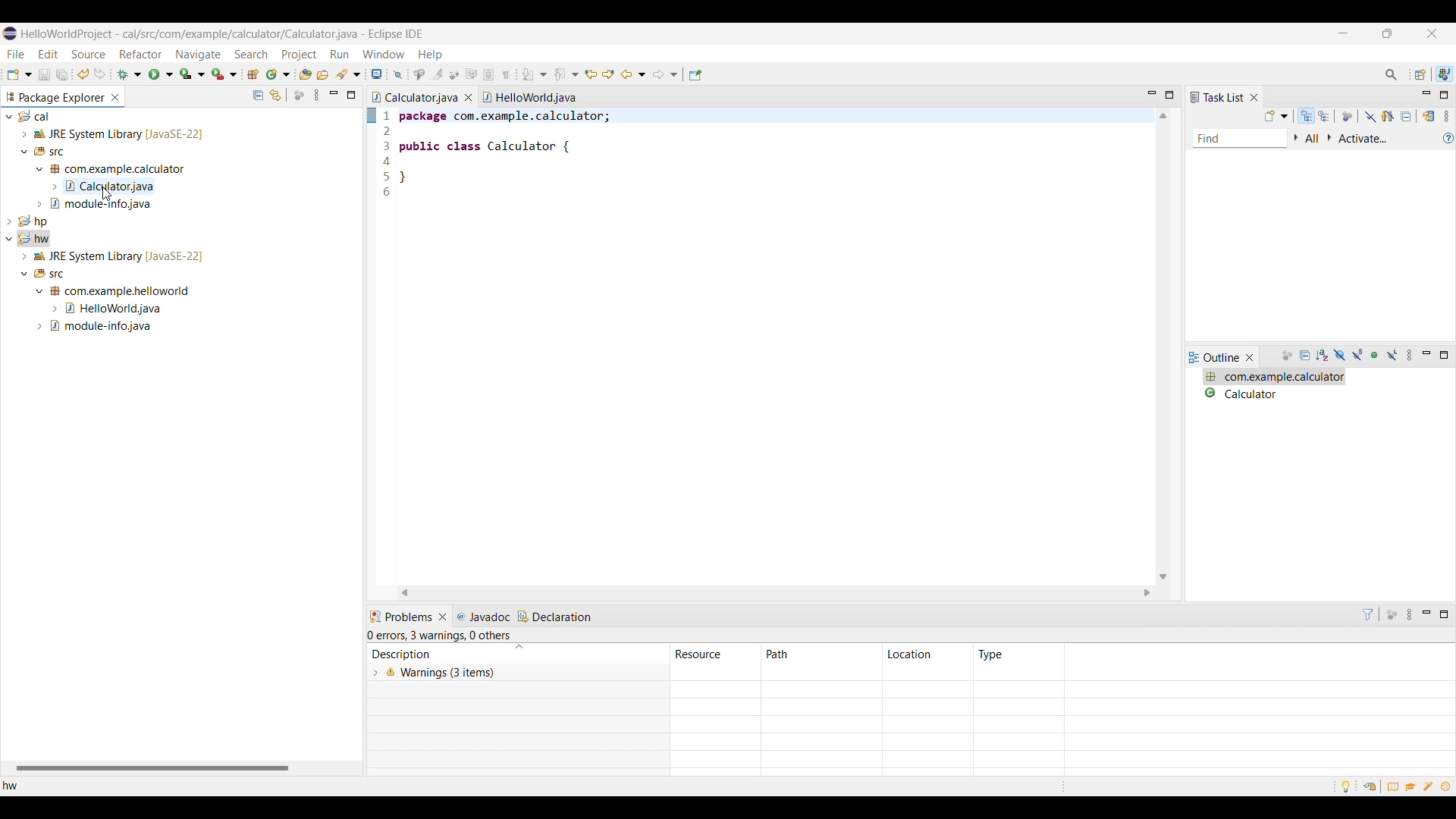 This screenshot has height=819, width=1456. I want to click on Declaration tab, so click(556, 617).